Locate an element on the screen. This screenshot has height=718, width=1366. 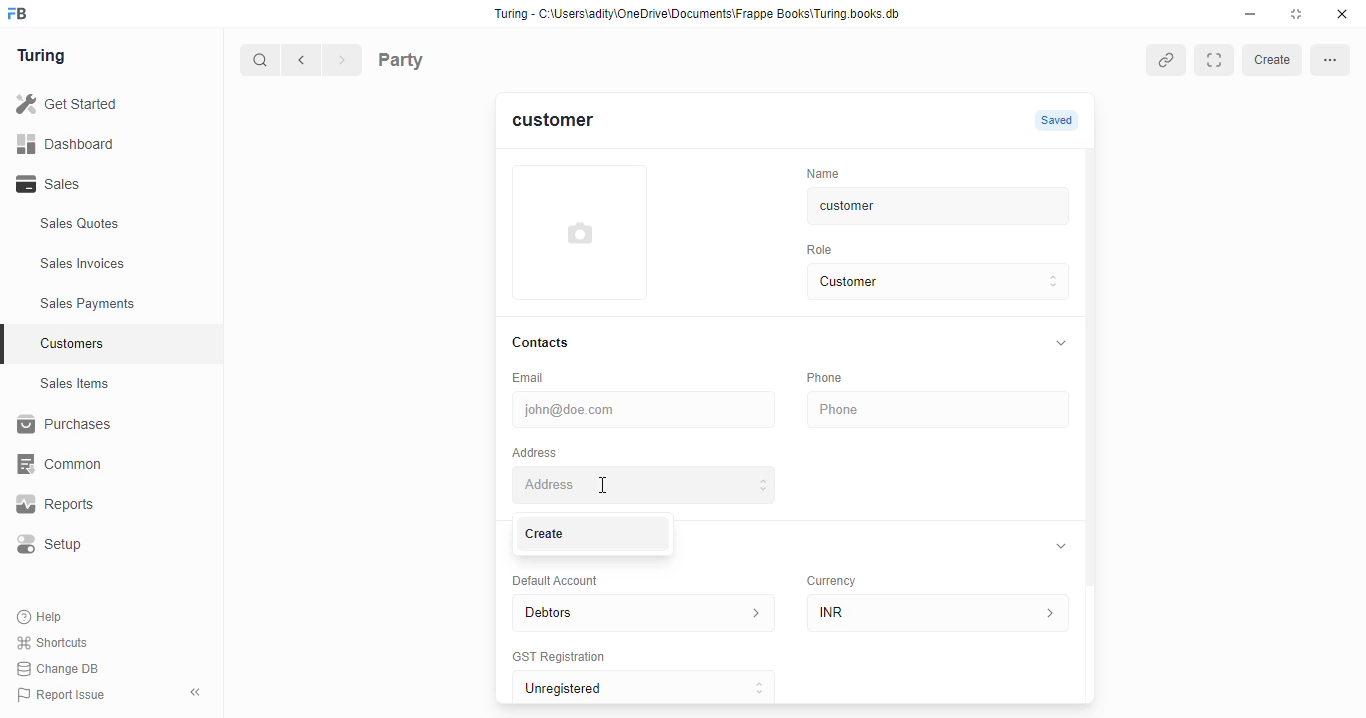
Contacts is located at coordinates (547, 342).